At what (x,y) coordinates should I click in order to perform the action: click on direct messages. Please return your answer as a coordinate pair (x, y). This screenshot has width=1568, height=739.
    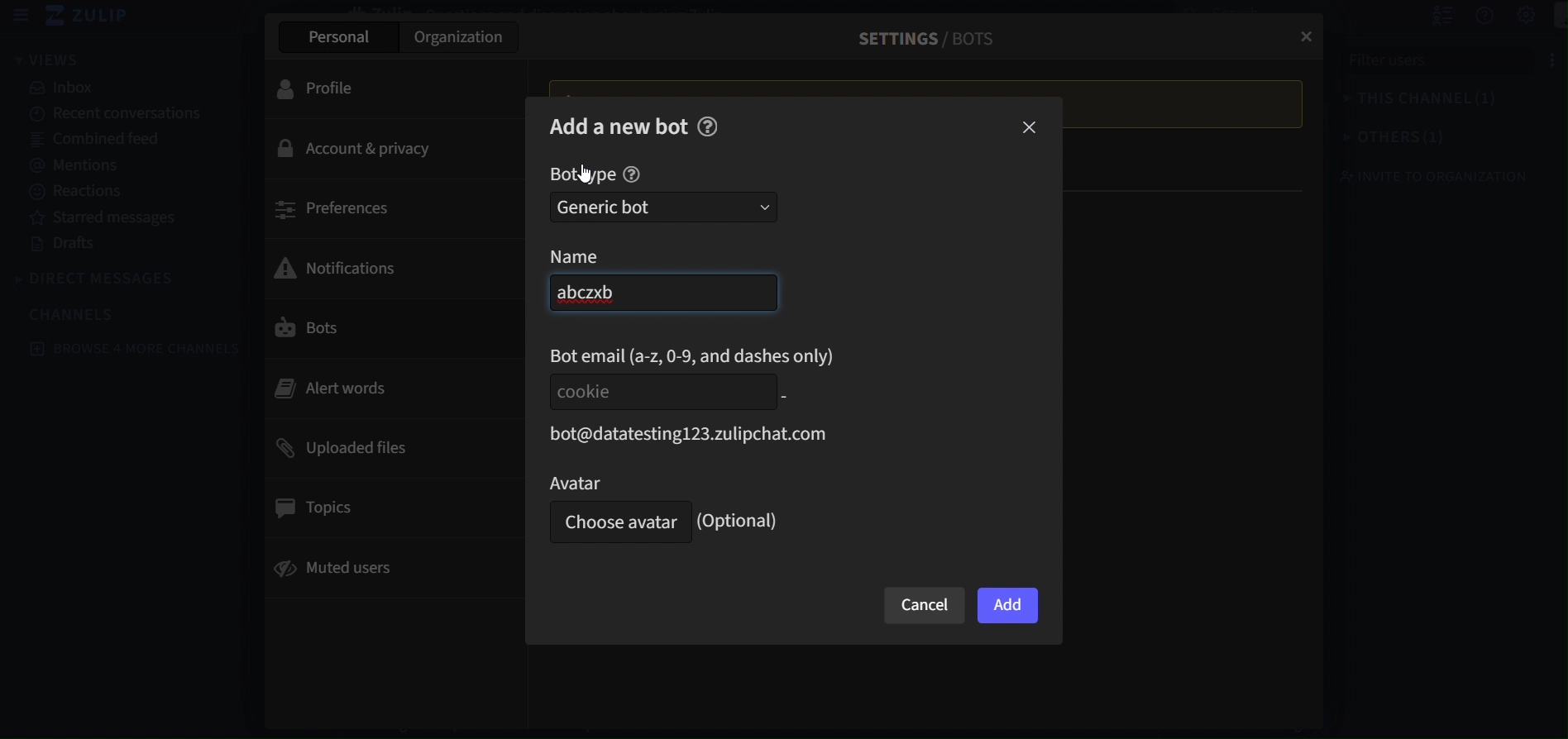
    Looking at the image, I should click on (100, 279).